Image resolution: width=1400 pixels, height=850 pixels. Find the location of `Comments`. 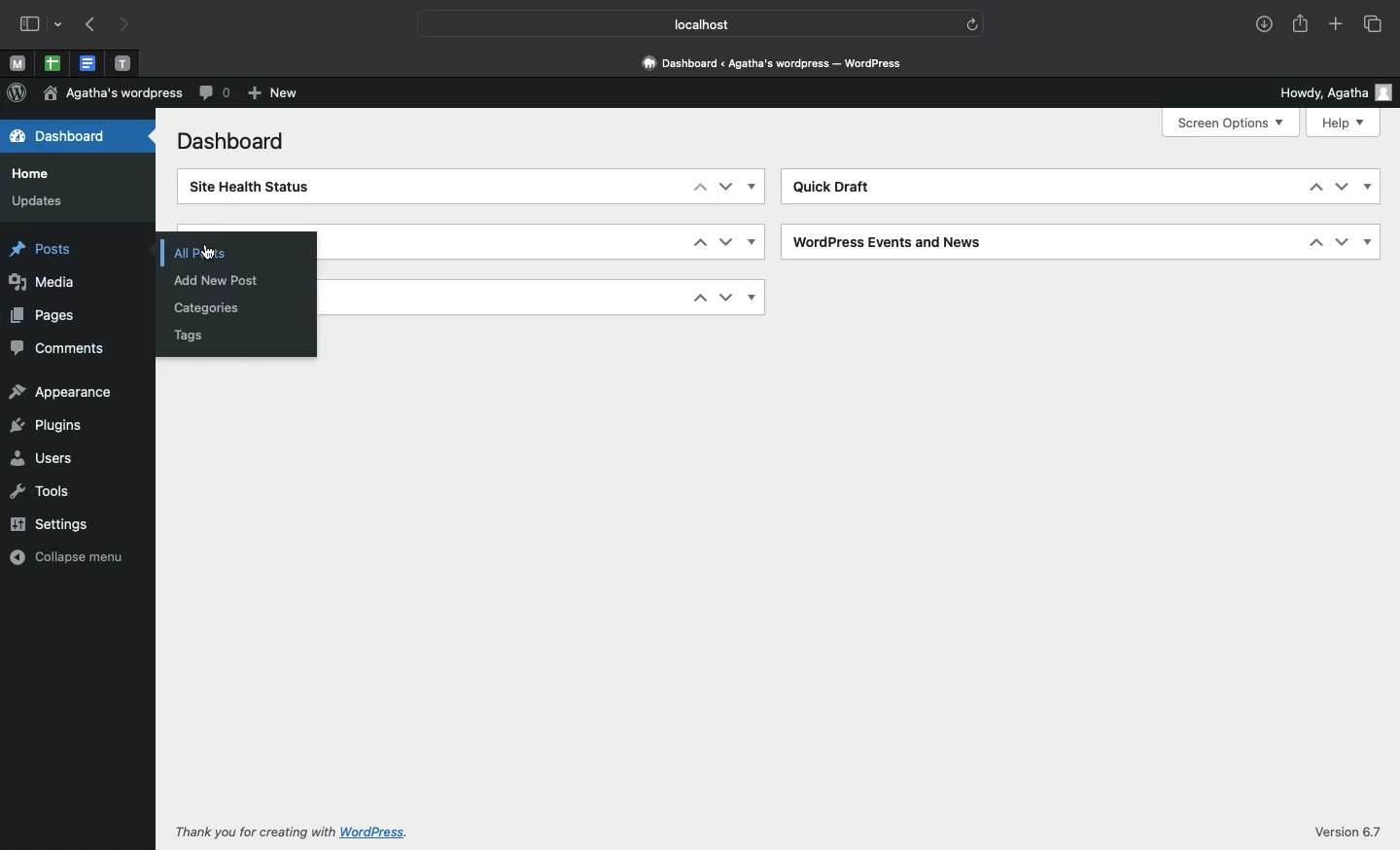

Comments is located at coordinates (56, 348).